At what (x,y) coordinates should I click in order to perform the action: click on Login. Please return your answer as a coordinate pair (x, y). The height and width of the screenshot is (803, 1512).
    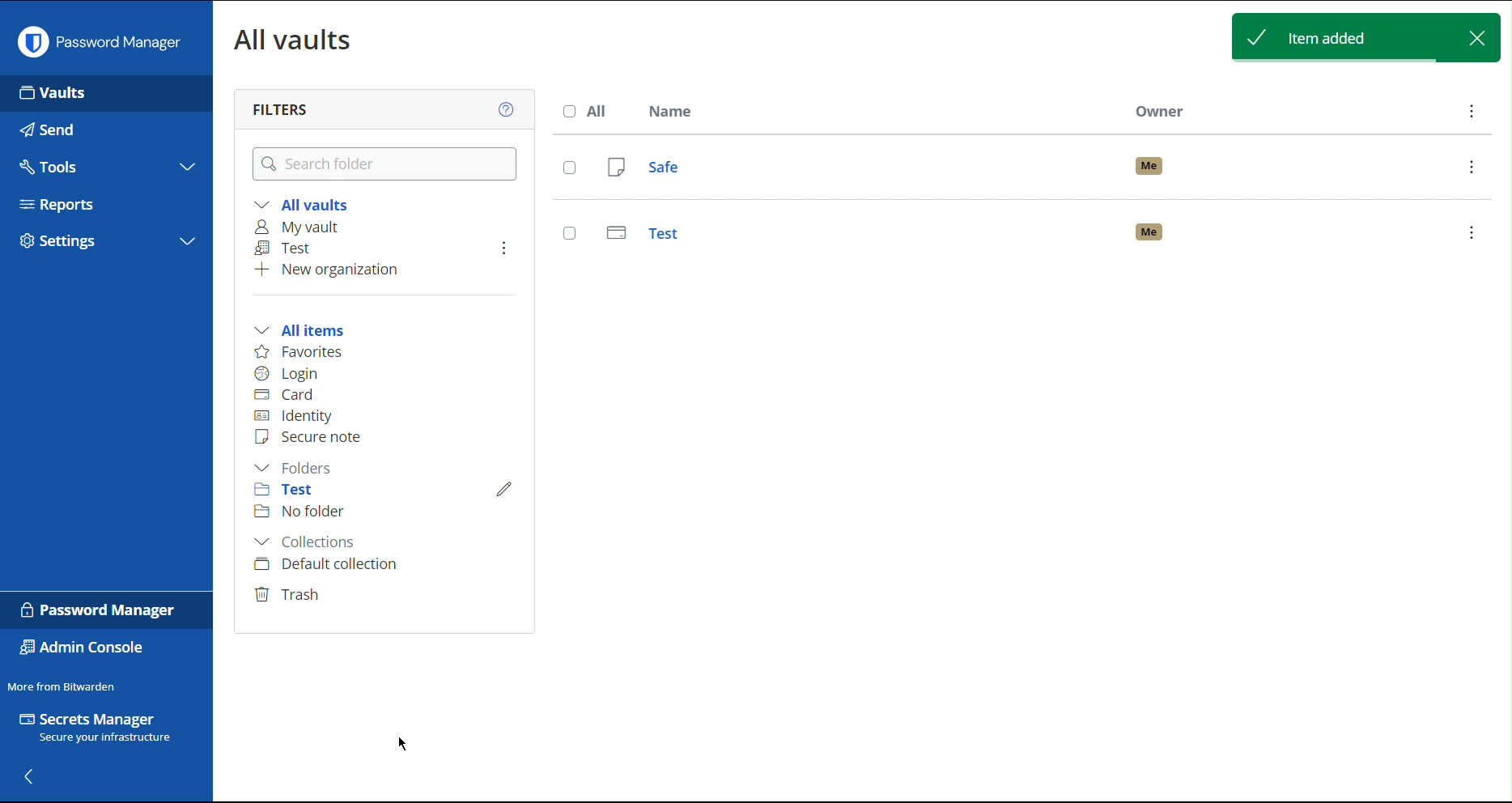
    Looking at the image, I should click on (287, 372).